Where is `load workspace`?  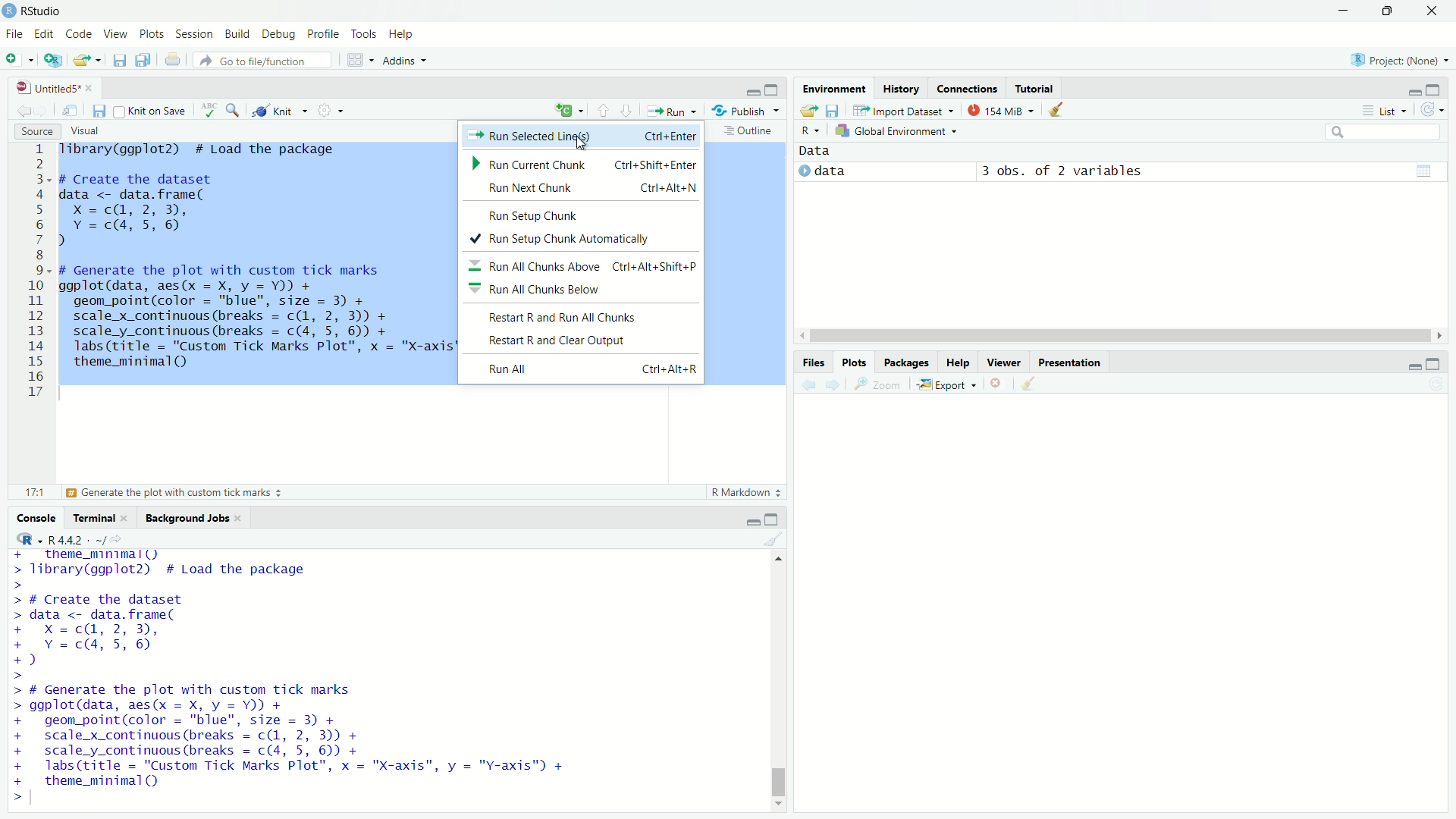 load workspace is located at coordinates (808, 111).